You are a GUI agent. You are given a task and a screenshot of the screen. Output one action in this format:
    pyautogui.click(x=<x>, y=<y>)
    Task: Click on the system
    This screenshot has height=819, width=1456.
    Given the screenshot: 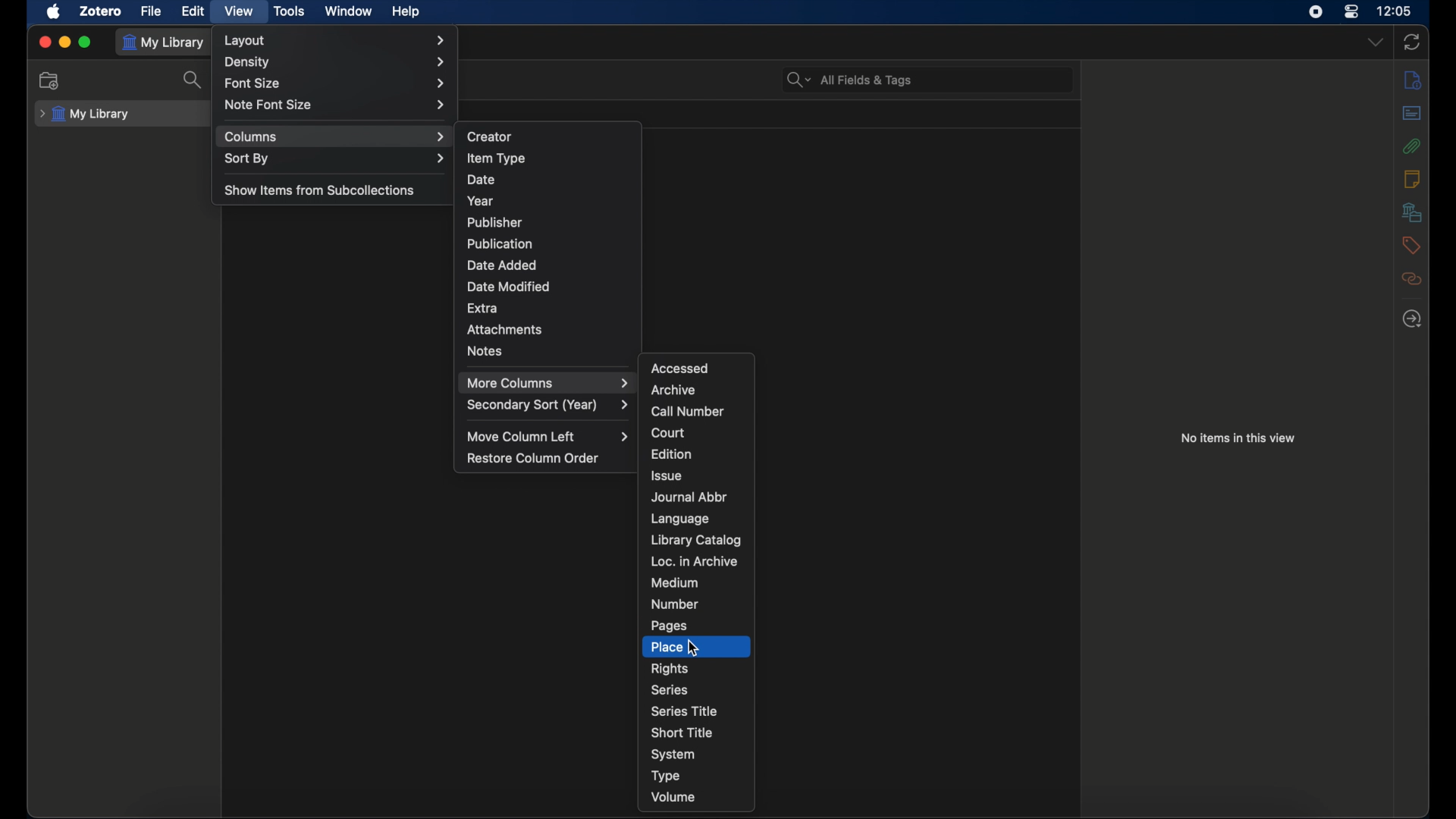 What is the action you would take?
    pyautogui.click(x=673, y=755)
    